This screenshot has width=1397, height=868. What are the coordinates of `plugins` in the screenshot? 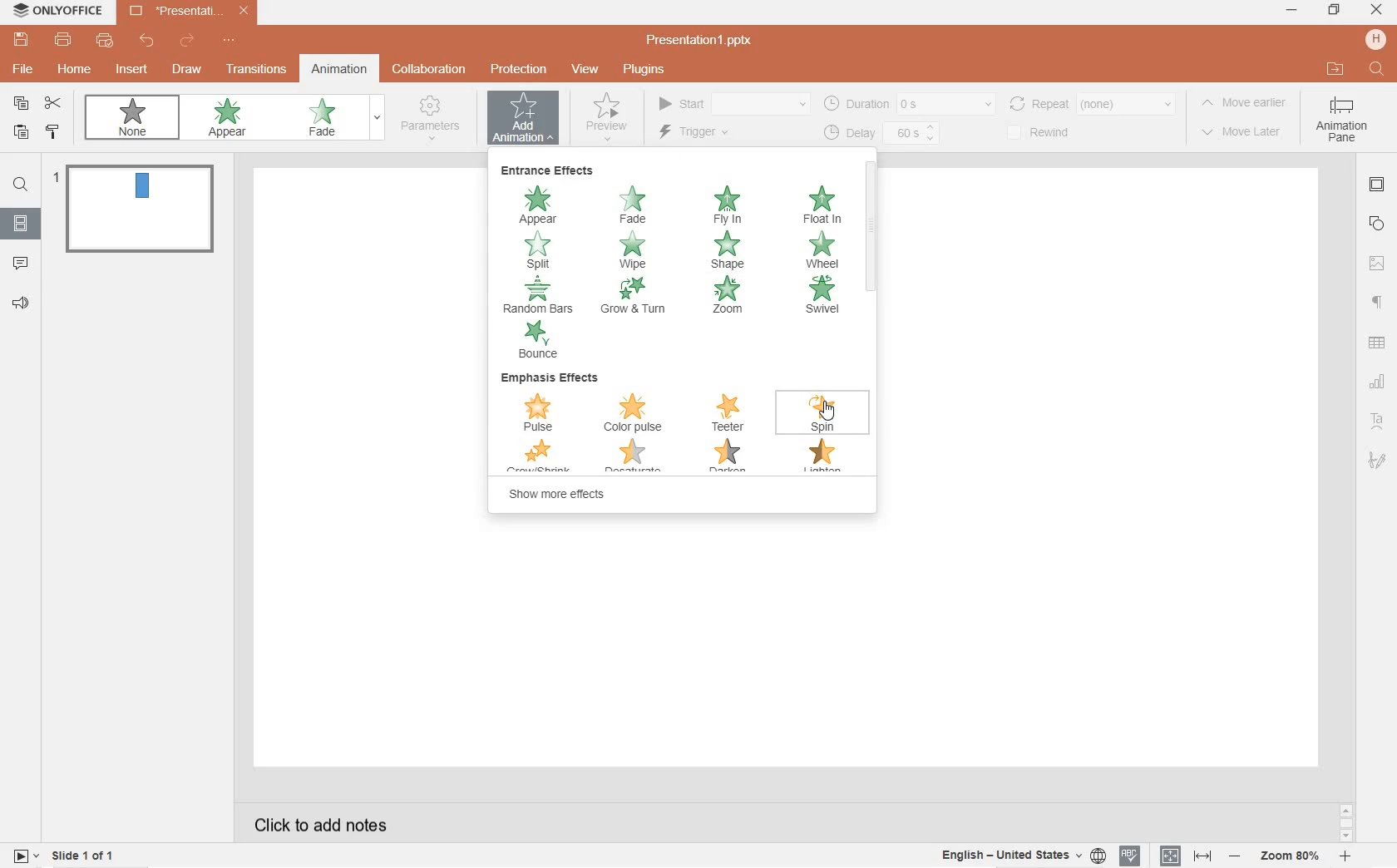 It's located at (643, 69).